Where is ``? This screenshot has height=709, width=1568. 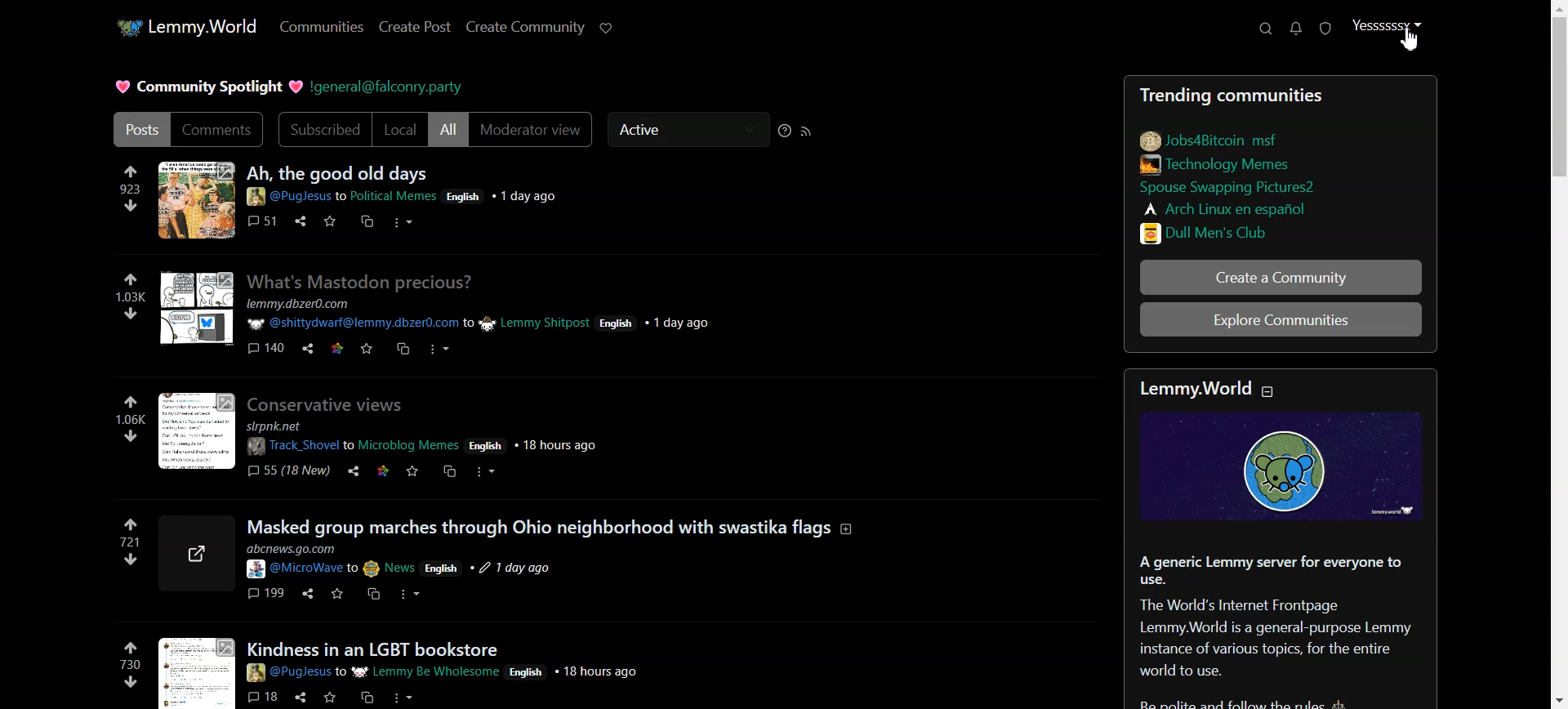
 is located at coordinates (361, 280).